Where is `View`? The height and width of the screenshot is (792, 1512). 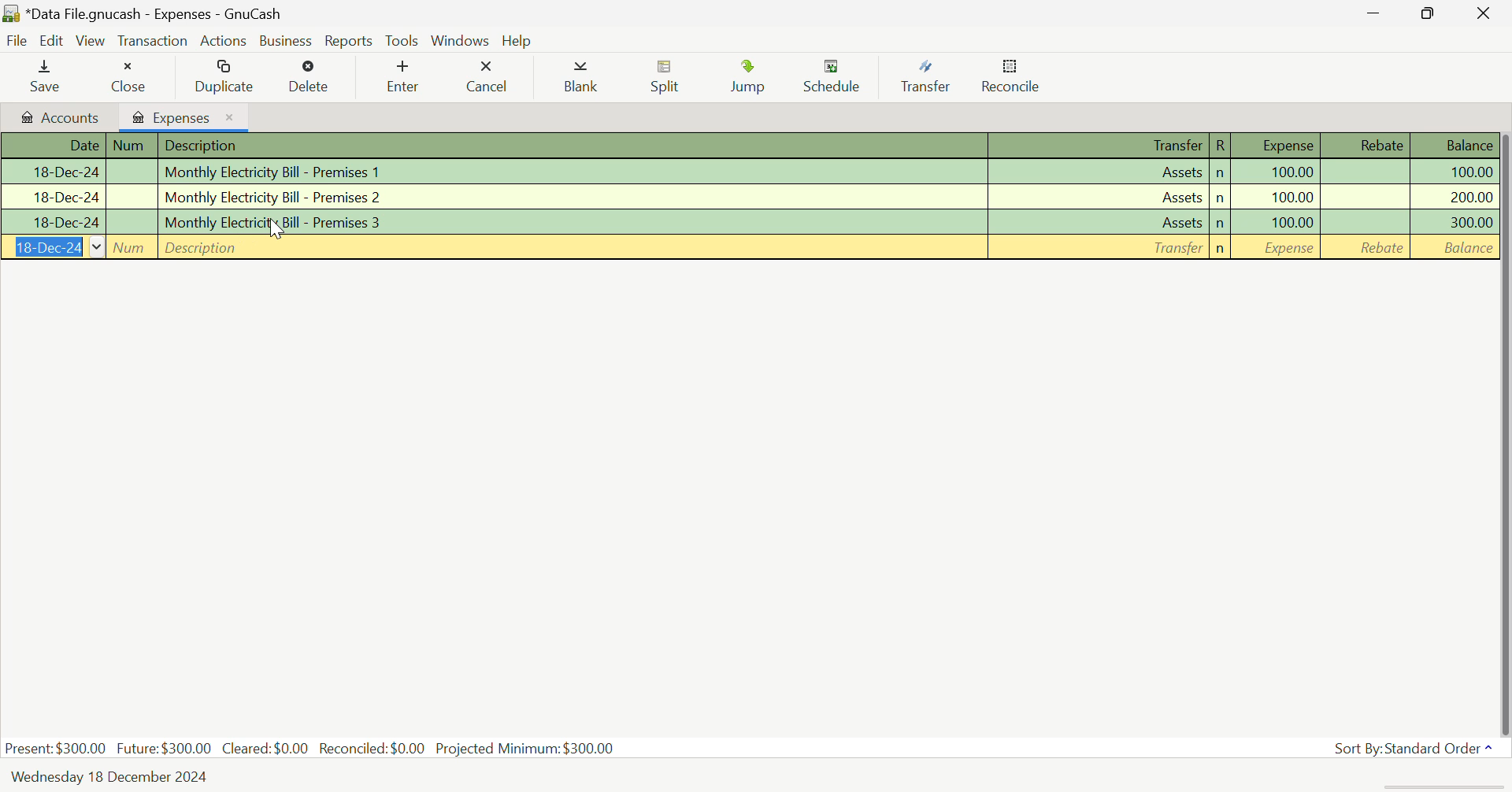 View is located at coordinates (91, 41).